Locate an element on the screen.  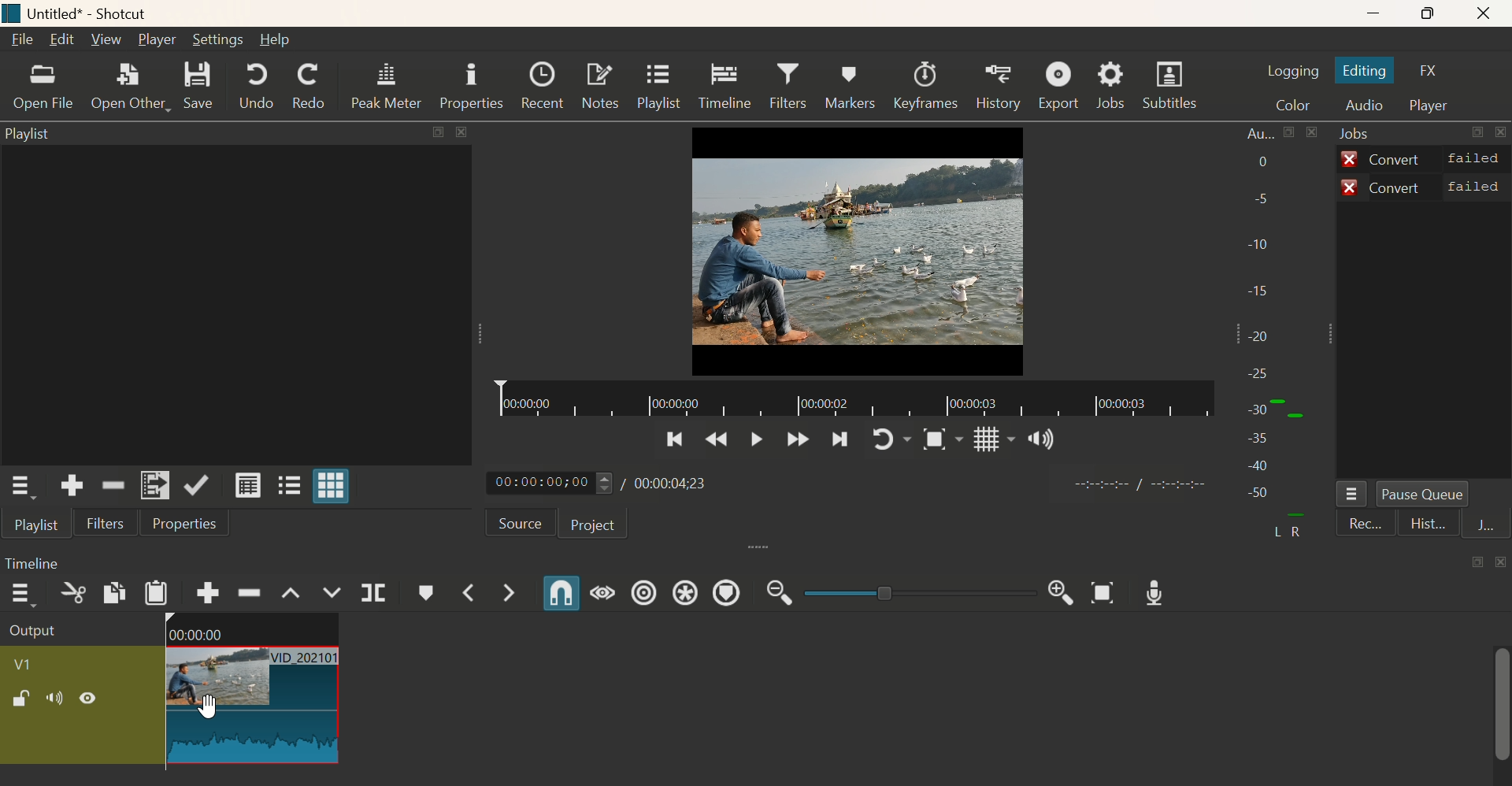
Update is located at coordinates (199, 486).